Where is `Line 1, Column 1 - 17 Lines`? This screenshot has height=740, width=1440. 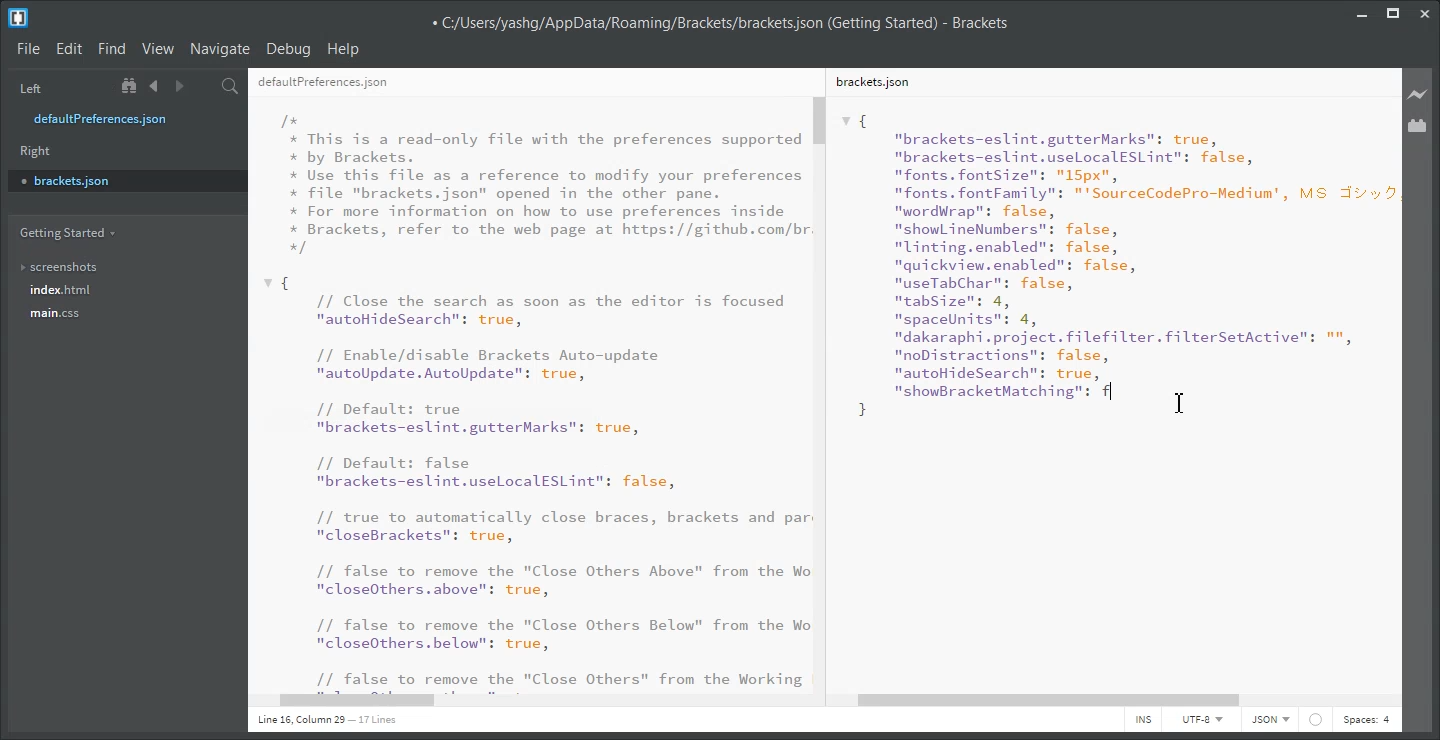
Line 1, Column 1 - 17 Lines is located at coordinates (324, 721).